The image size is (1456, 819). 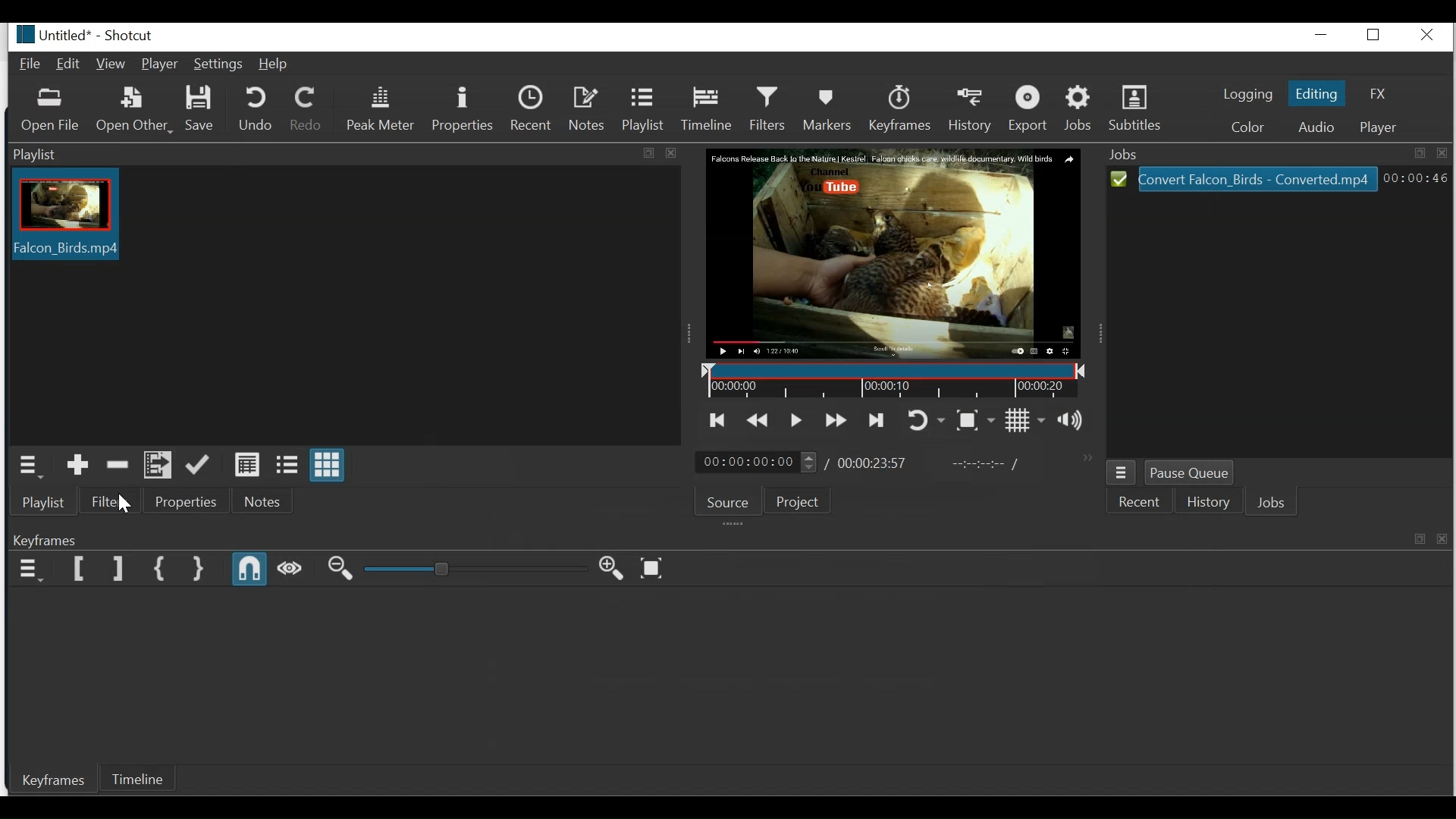 What do you see at coordinates (275, 64) in the screenshot?
I see `Help` at bounding box center [275, 64].